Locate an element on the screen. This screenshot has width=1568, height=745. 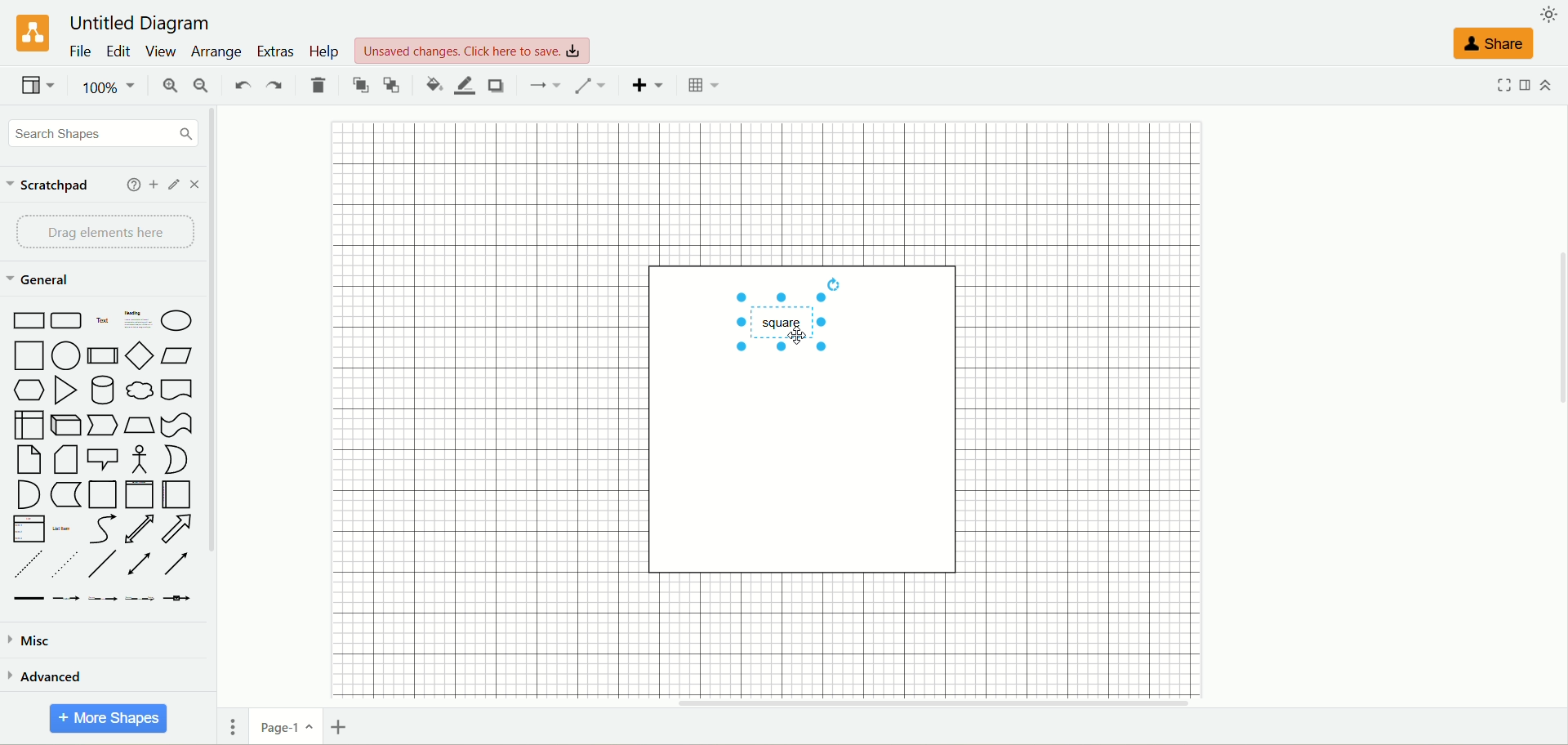
shapes is located at coordinates (100, 454).